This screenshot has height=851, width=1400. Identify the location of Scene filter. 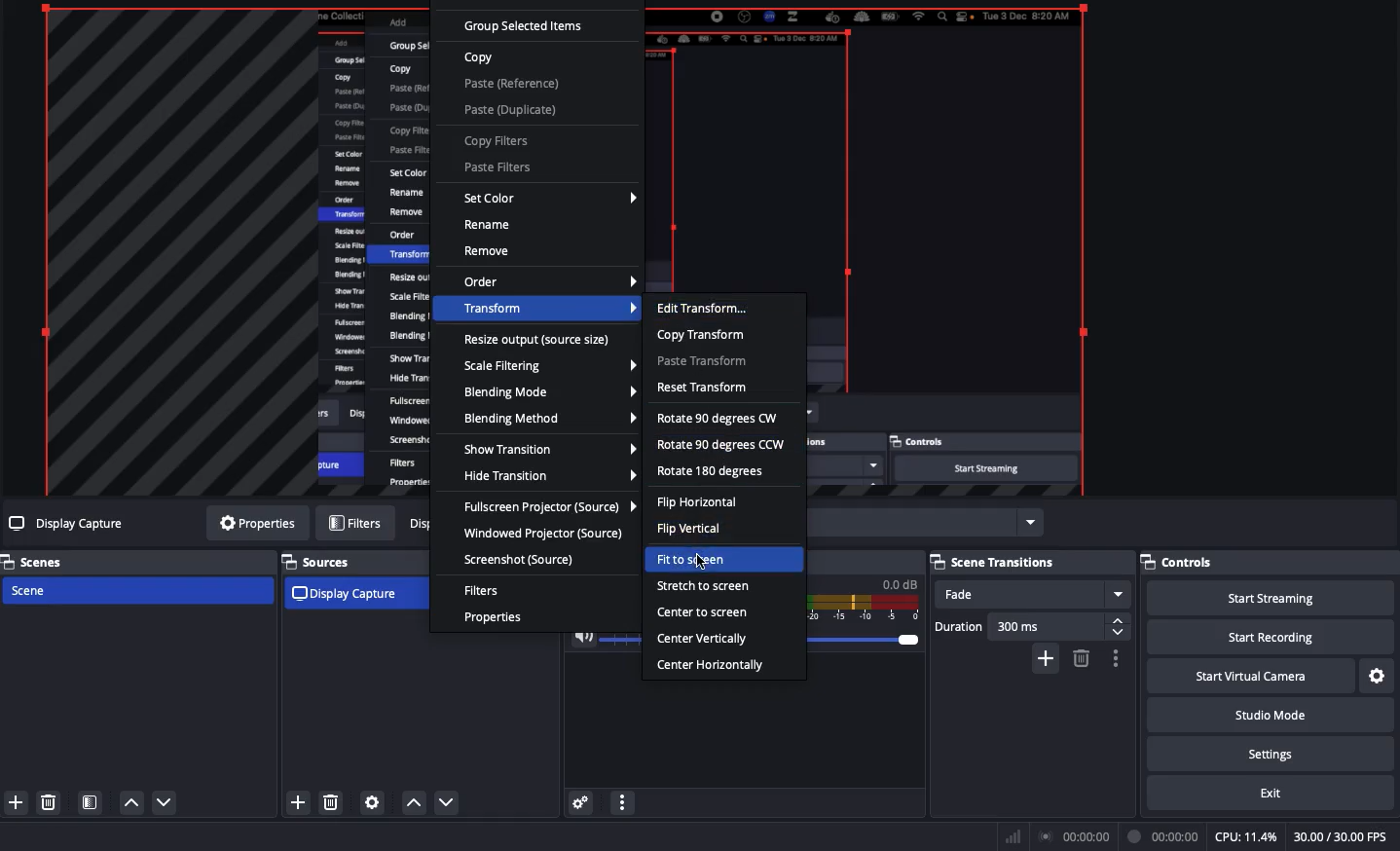
(91, 801).